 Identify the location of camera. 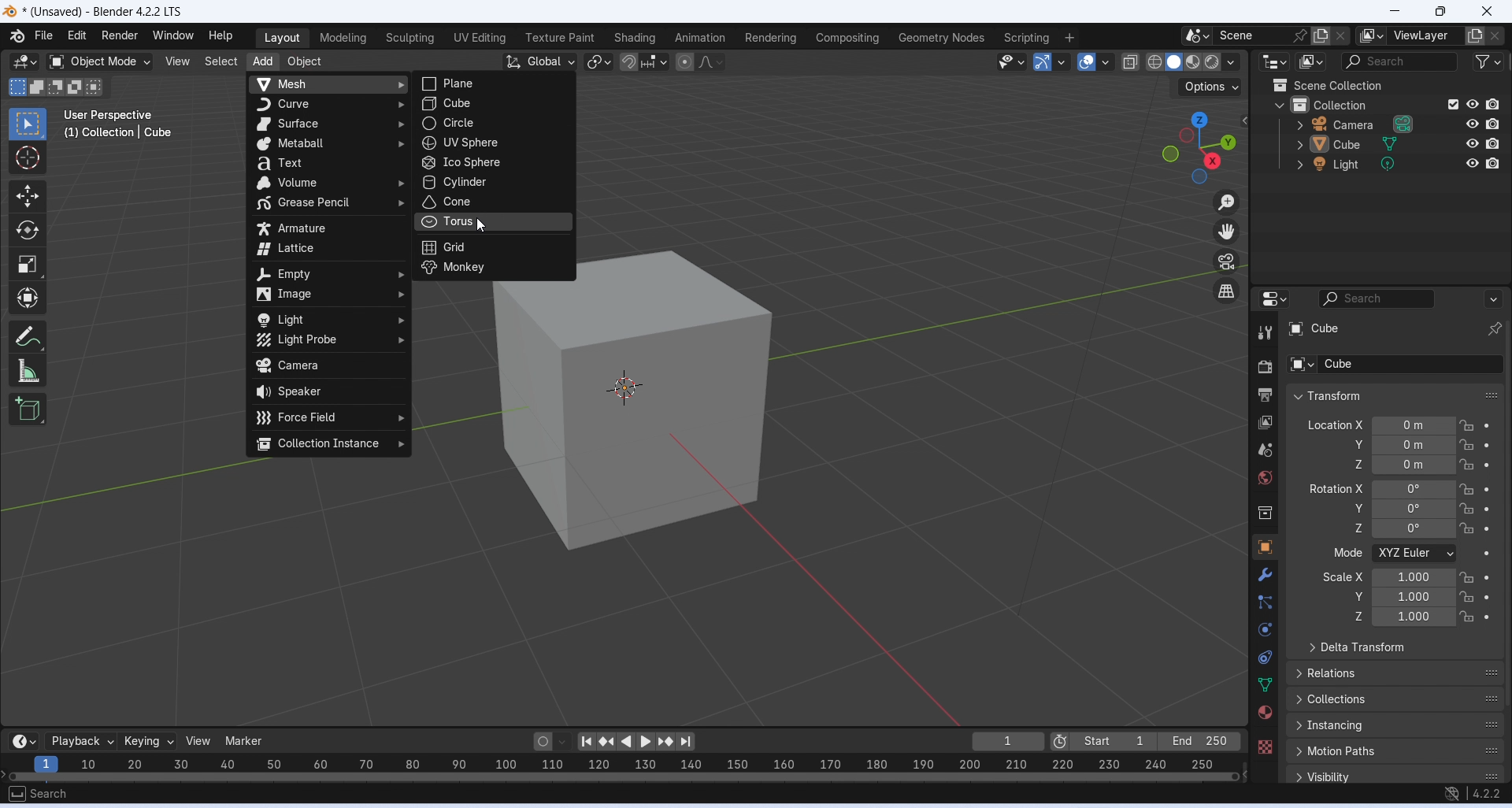
(327, 367).